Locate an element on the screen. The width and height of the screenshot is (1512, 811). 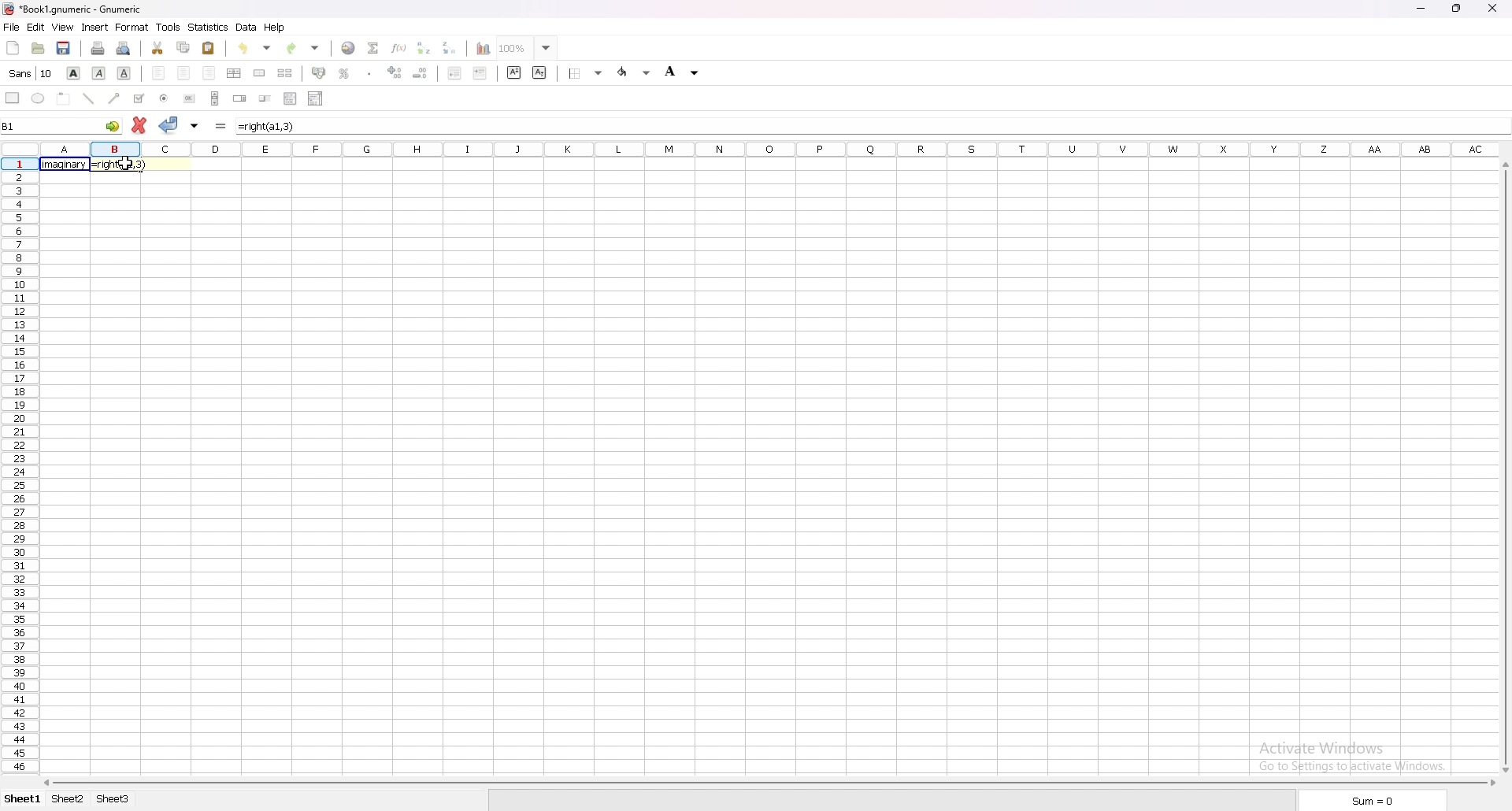
thousands separator is located at coordinates (371, 72).